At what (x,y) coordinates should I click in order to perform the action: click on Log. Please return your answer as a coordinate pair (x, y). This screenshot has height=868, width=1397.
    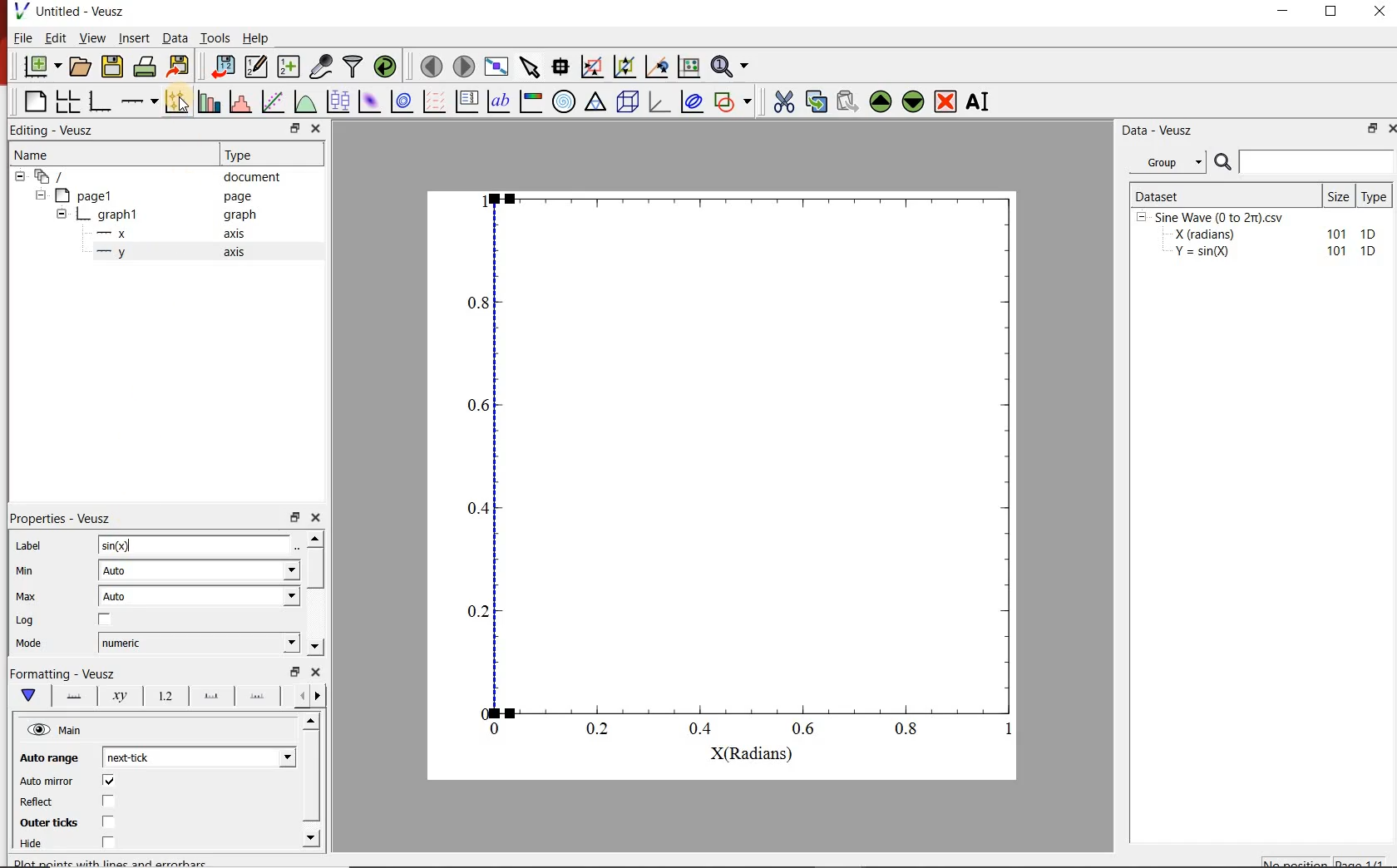
    Looking at the image, I should click on (25, 620).